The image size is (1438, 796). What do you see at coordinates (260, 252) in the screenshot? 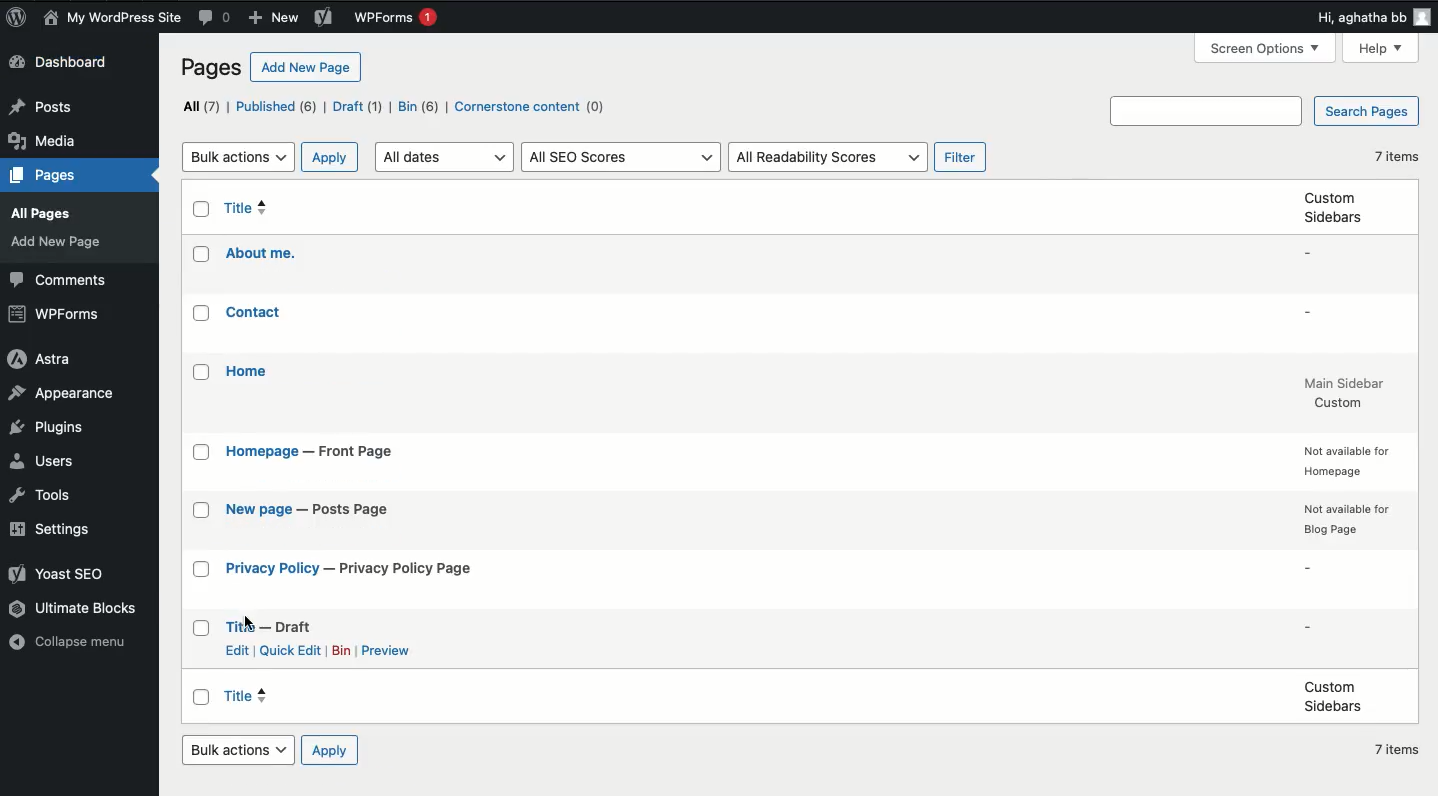
I see `Title` at bounding box center [260, 252].